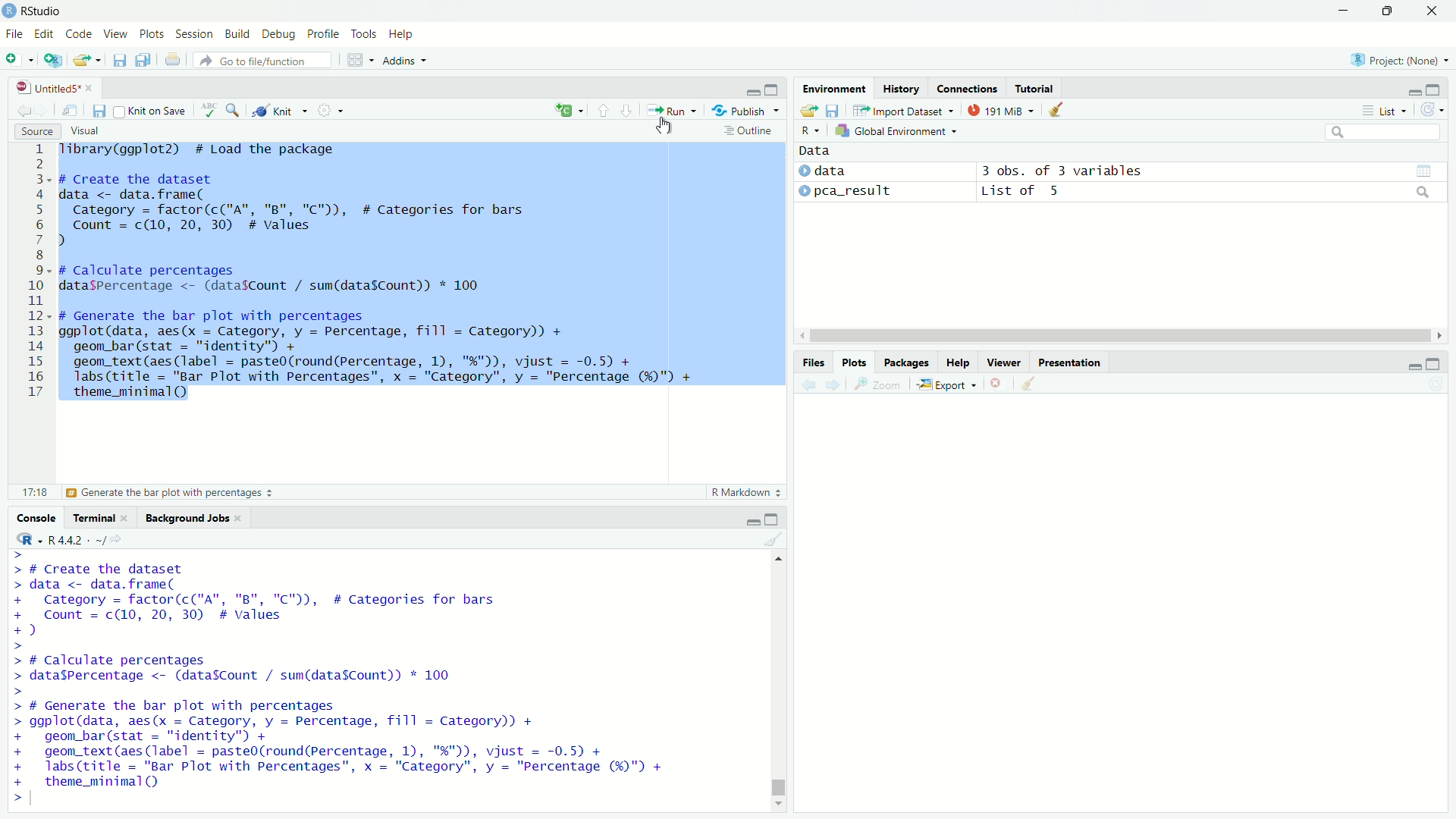 The image size is (1456, 819). I want to click on new file, so click(19, 61).